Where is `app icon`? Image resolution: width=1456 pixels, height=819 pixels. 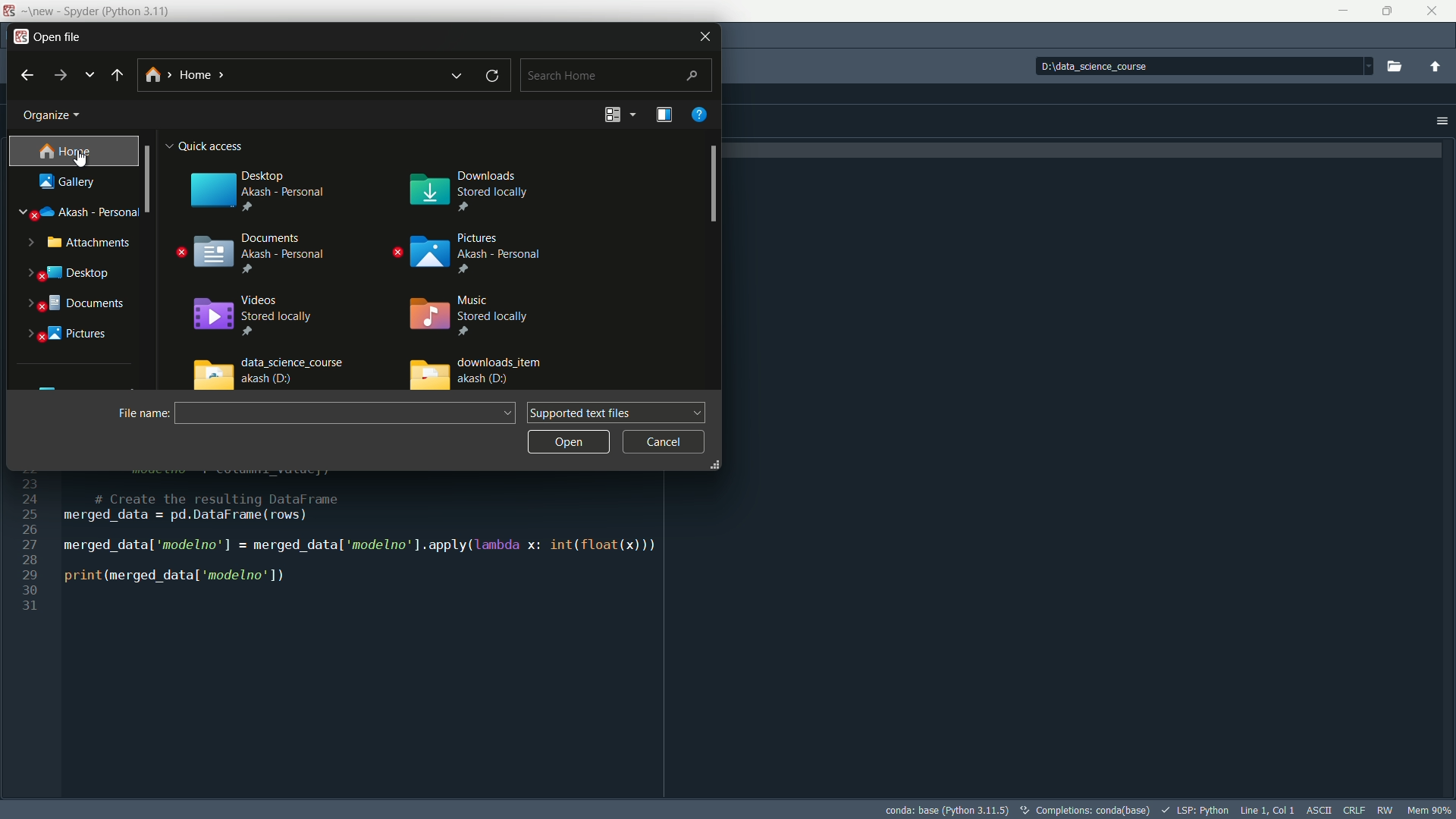 app icon is located at coordinates (8, 11).